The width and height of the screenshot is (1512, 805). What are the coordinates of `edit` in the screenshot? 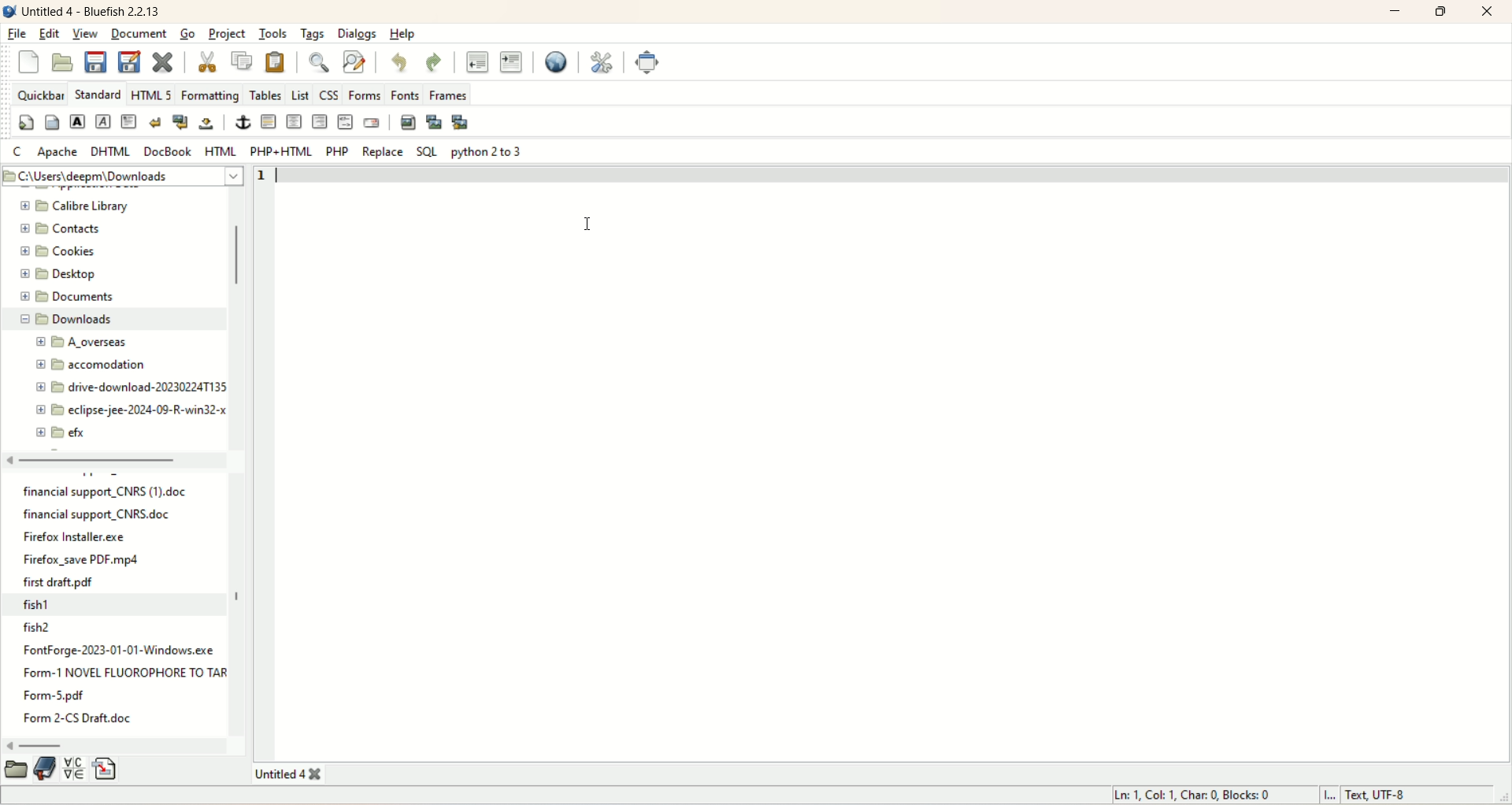 It's located at (50, 33).